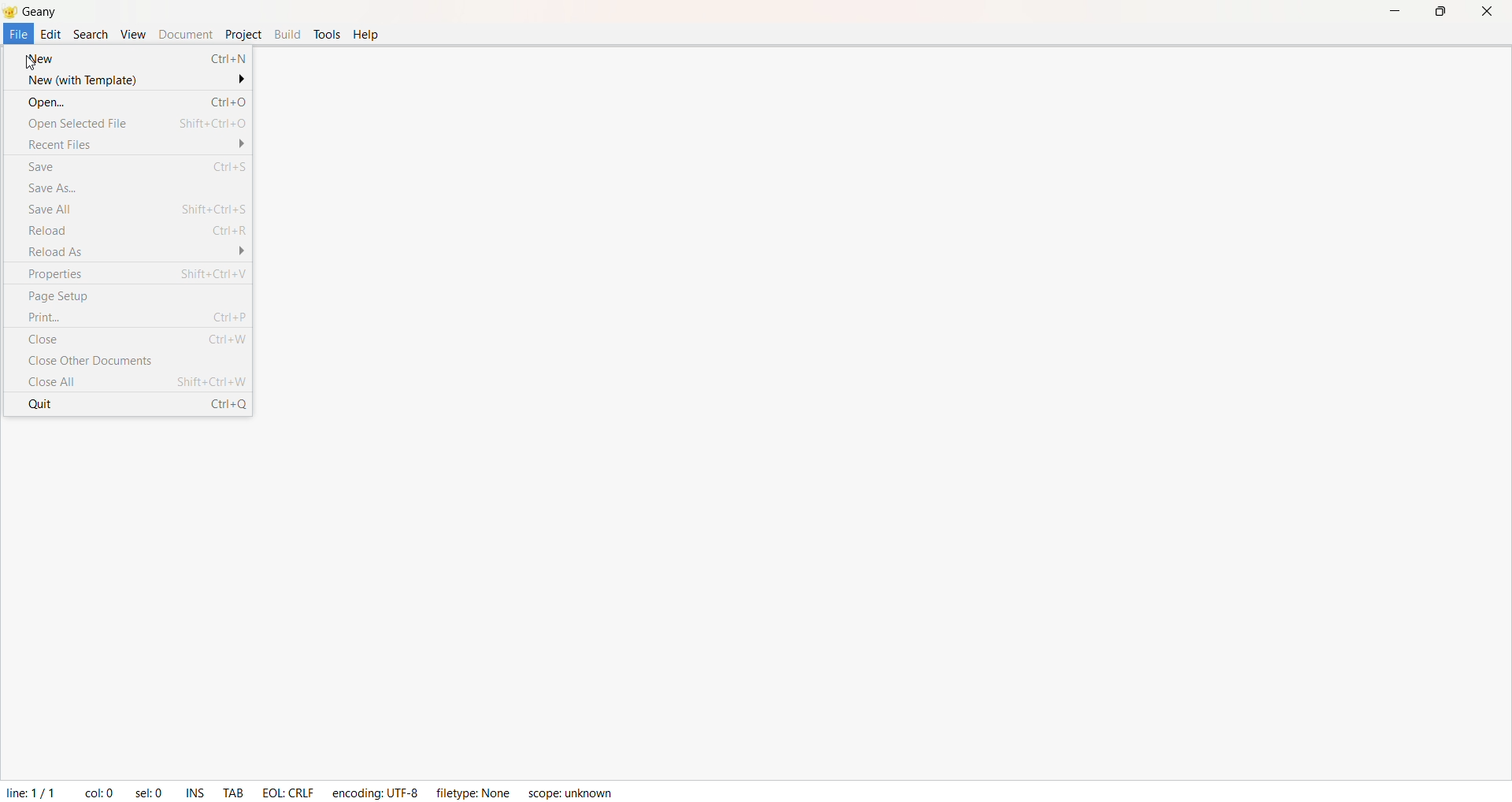 This screenshot has height=802, width=1512. What do you see at coordinates (368, 36) in the screenshot?
I see `Help` at bounding box center [368, 36].